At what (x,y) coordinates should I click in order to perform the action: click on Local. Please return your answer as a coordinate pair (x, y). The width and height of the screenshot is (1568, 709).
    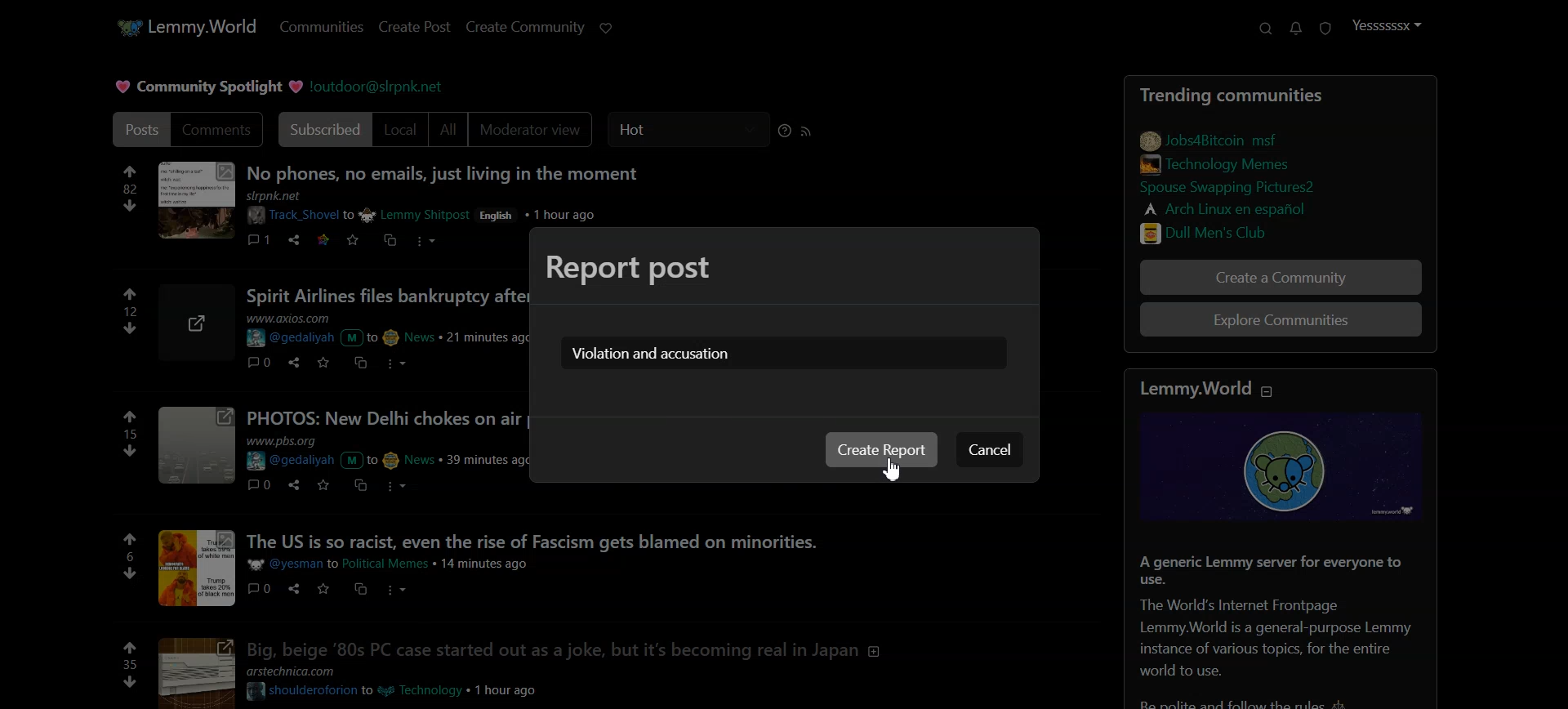
    Looking at the image, I should click on (401, 130).